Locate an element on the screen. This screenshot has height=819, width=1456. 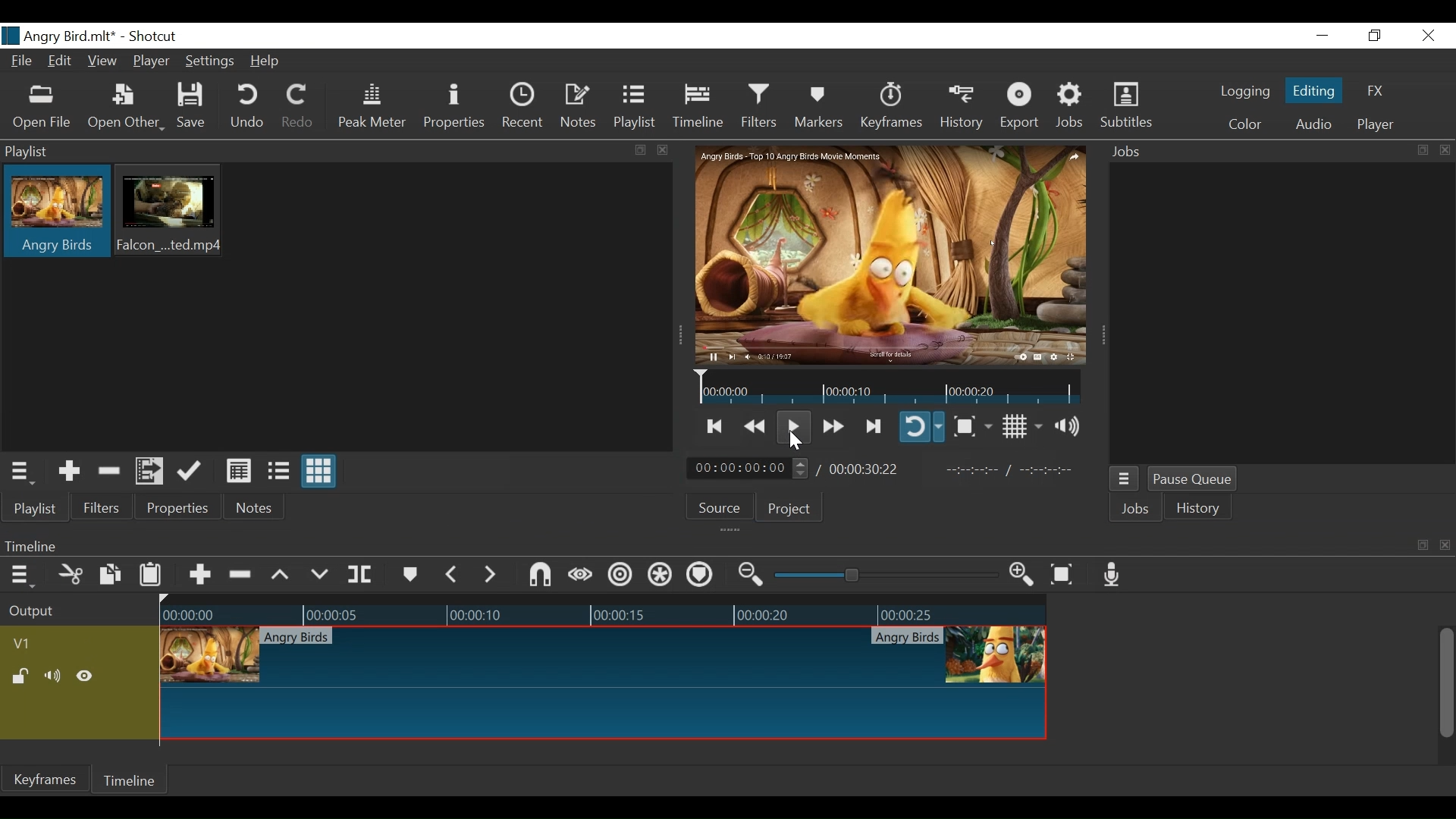
Properties is located at coordinates (456, 109).